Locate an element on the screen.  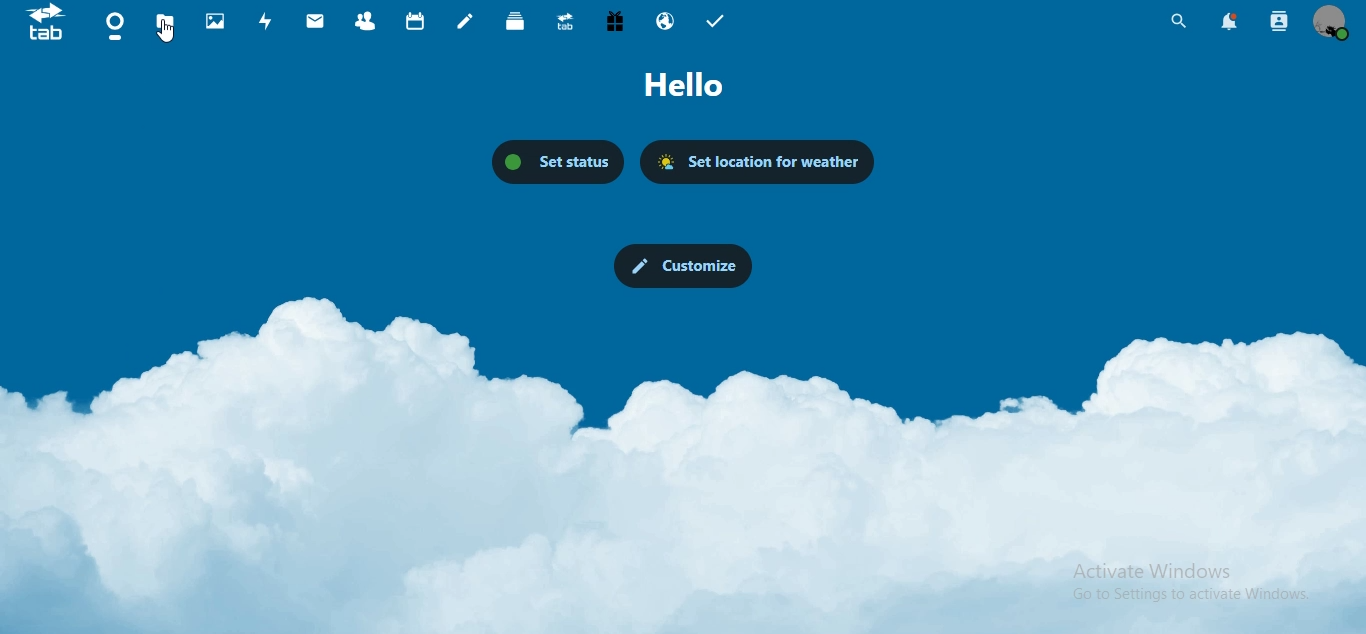
calendar is located at coordinates (415, 19).